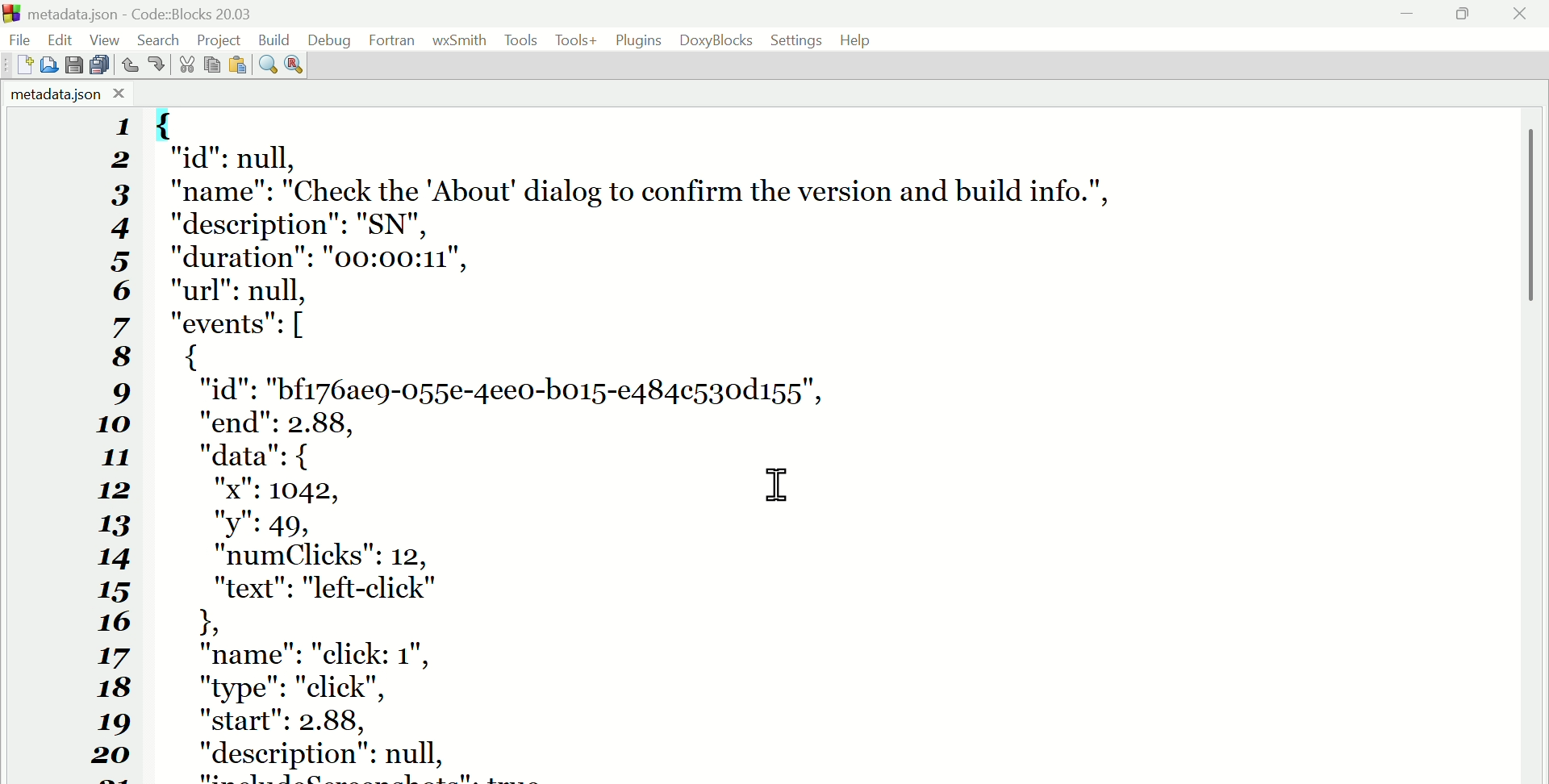 This screenshot has width=1549, height=784. Describe the element at coordinates (237, 65) in the screenshot. I see `Paste` at that location.